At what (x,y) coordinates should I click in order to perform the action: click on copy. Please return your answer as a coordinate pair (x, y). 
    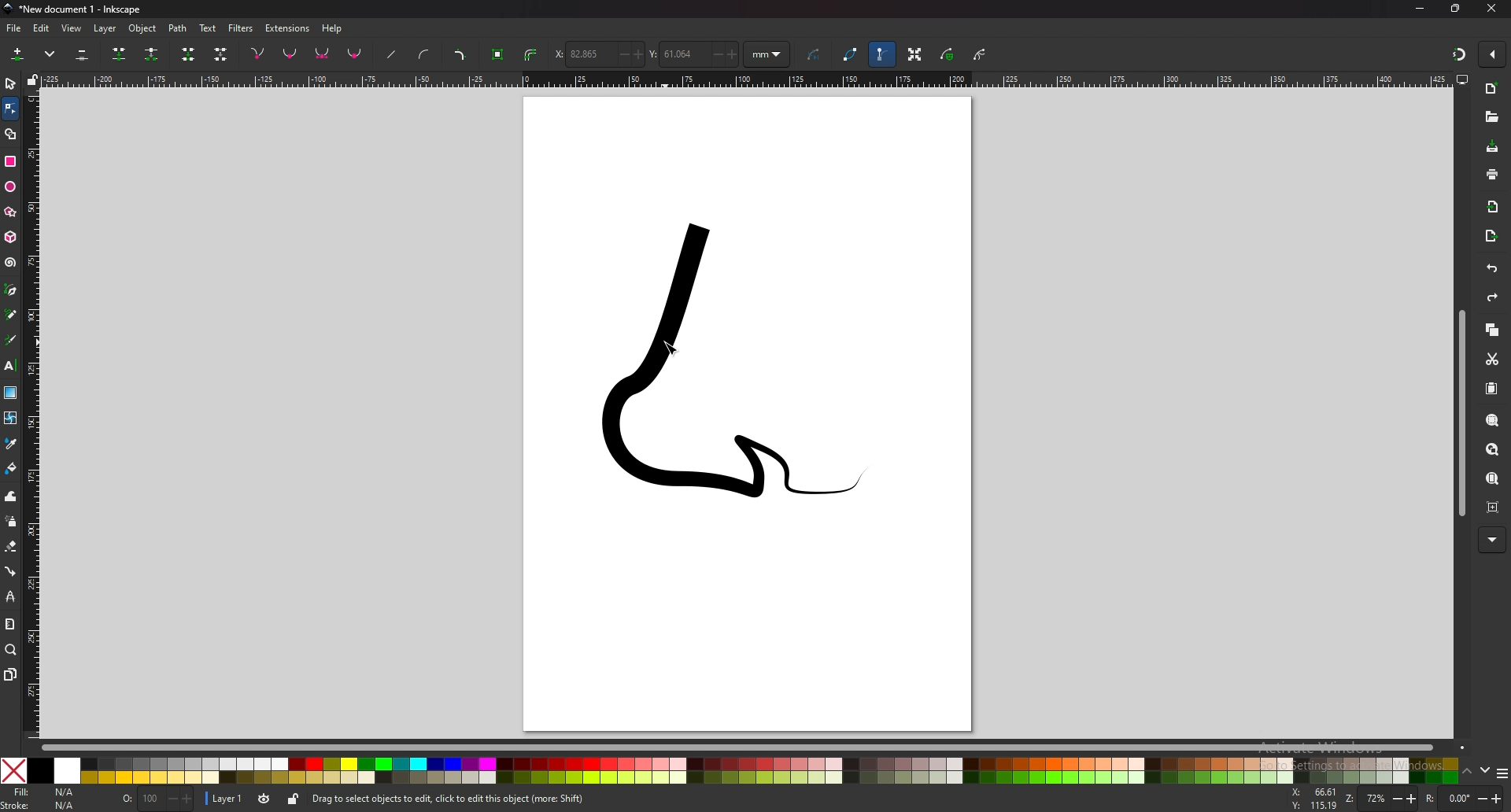
    Looking at the image, I should click on (1492, 330).